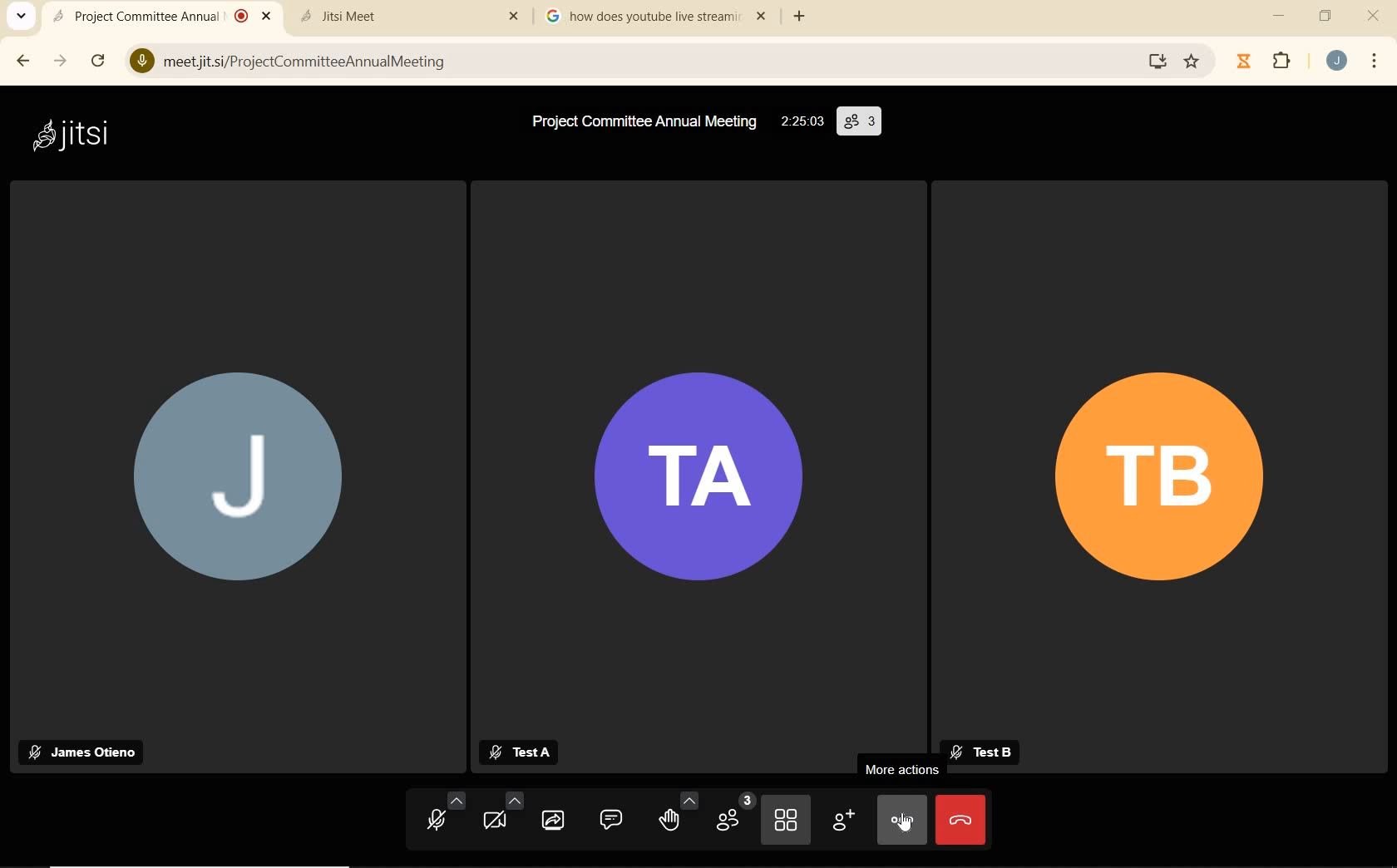  Describe the element at coordinates (24, 60) in the screenshot. I see `back` at that location.